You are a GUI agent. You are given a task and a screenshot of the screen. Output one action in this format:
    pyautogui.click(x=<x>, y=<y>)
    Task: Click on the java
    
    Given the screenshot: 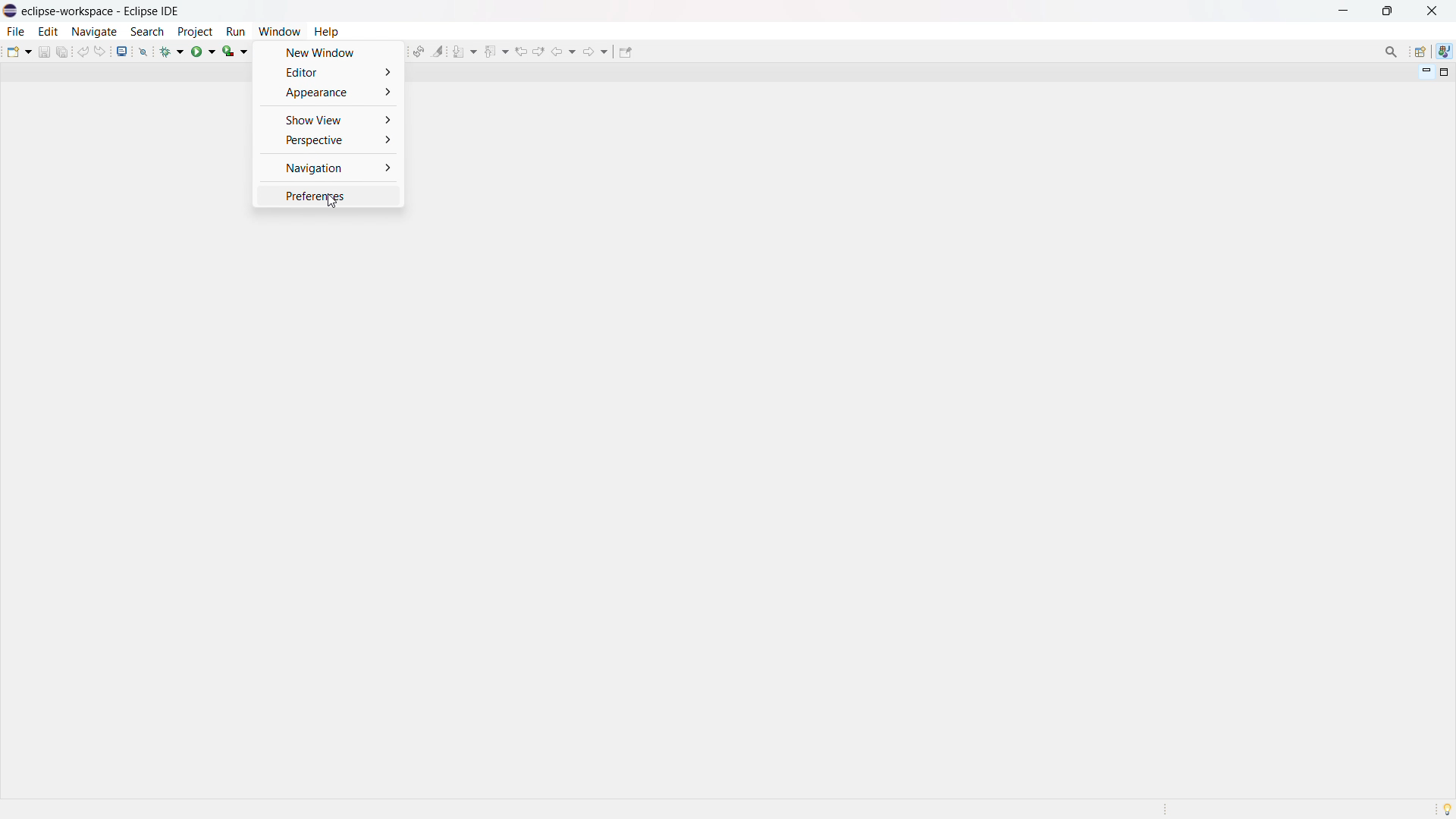 What is the action you would take?
    pyautogui.click(x=1445, y=52)
    